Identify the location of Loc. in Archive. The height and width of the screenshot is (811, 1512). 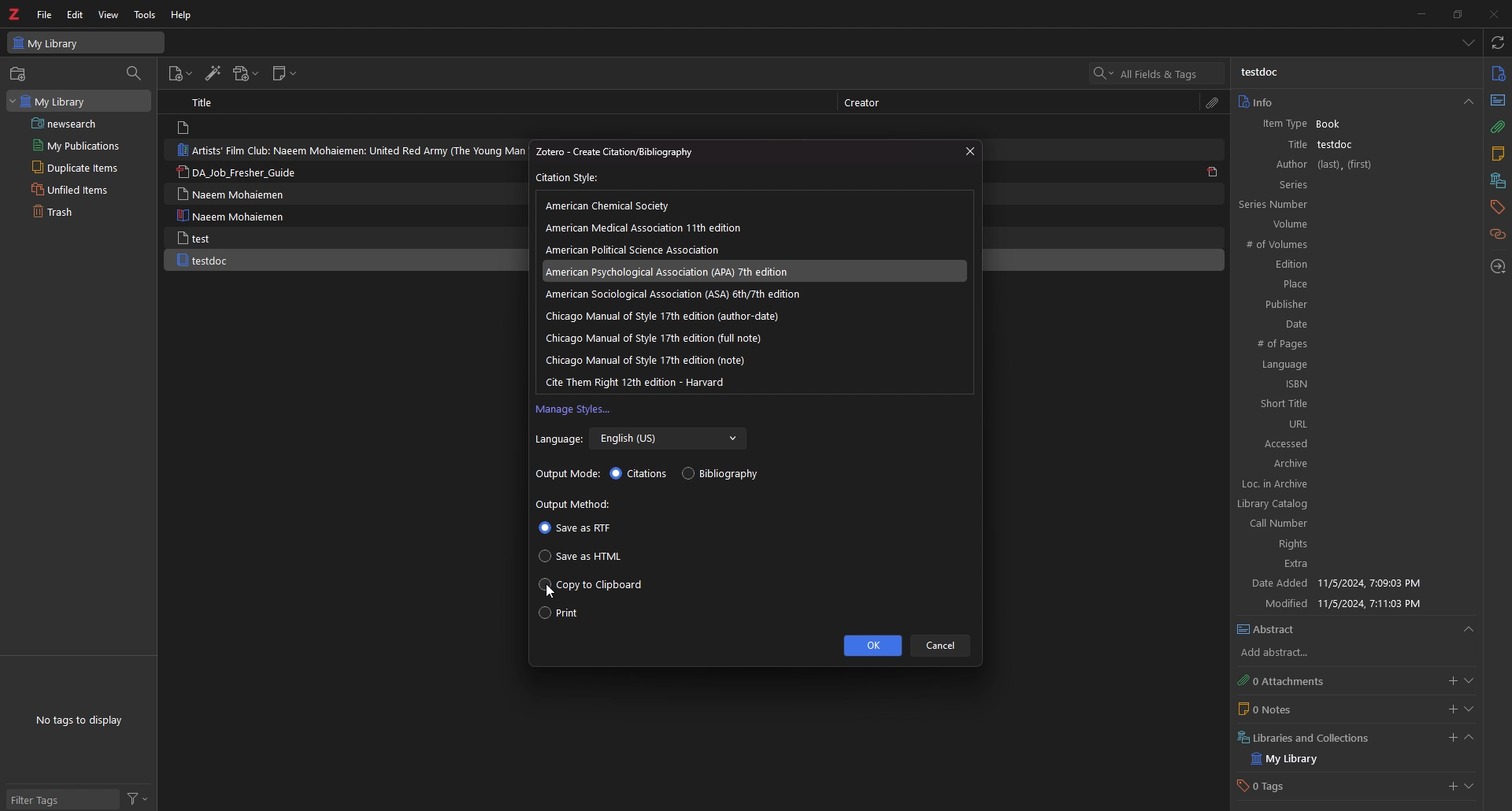
(1345, 484).